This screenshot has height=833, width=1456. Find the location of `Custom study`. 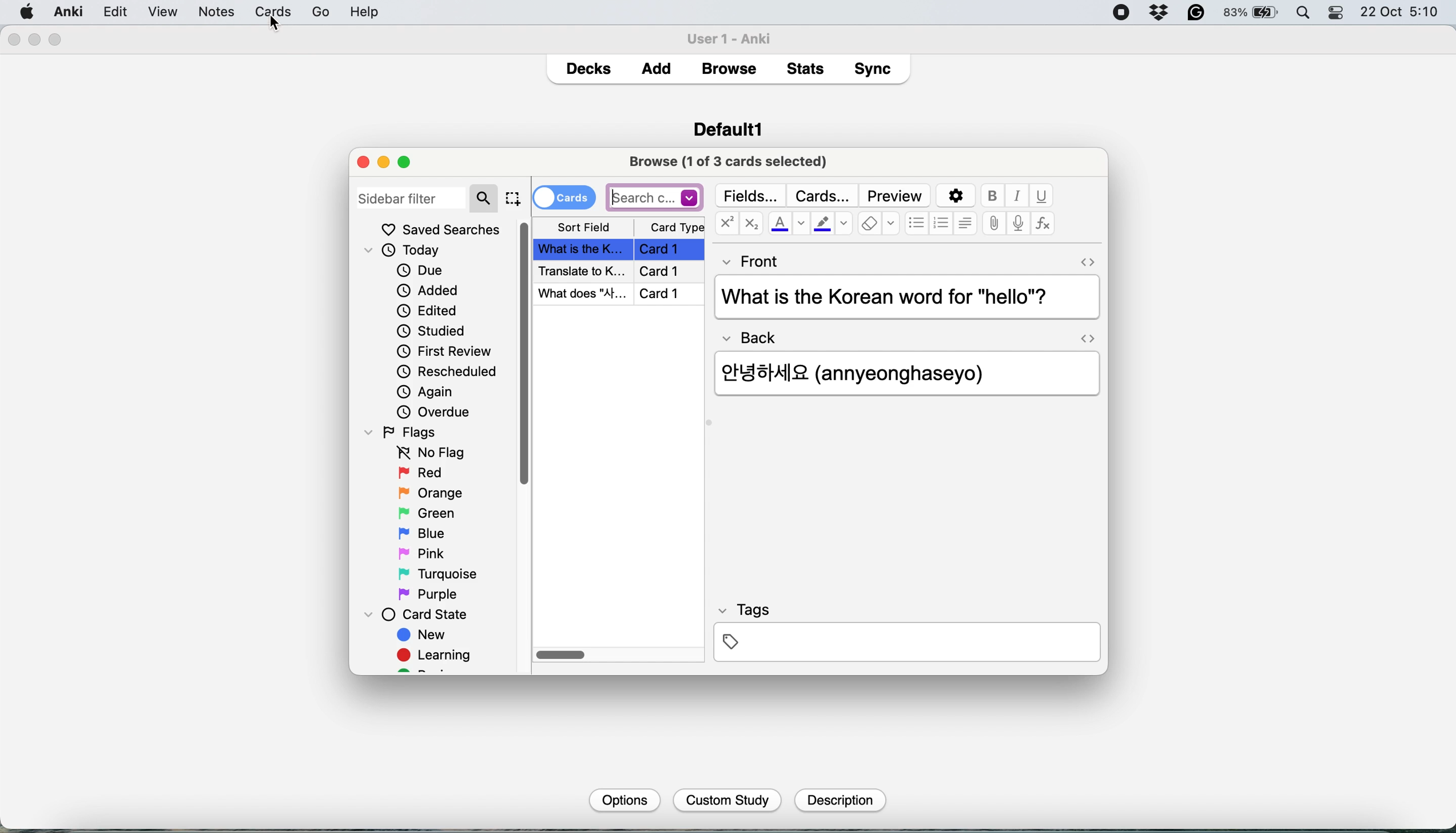

Custom study is located at coordinates (728, 801).